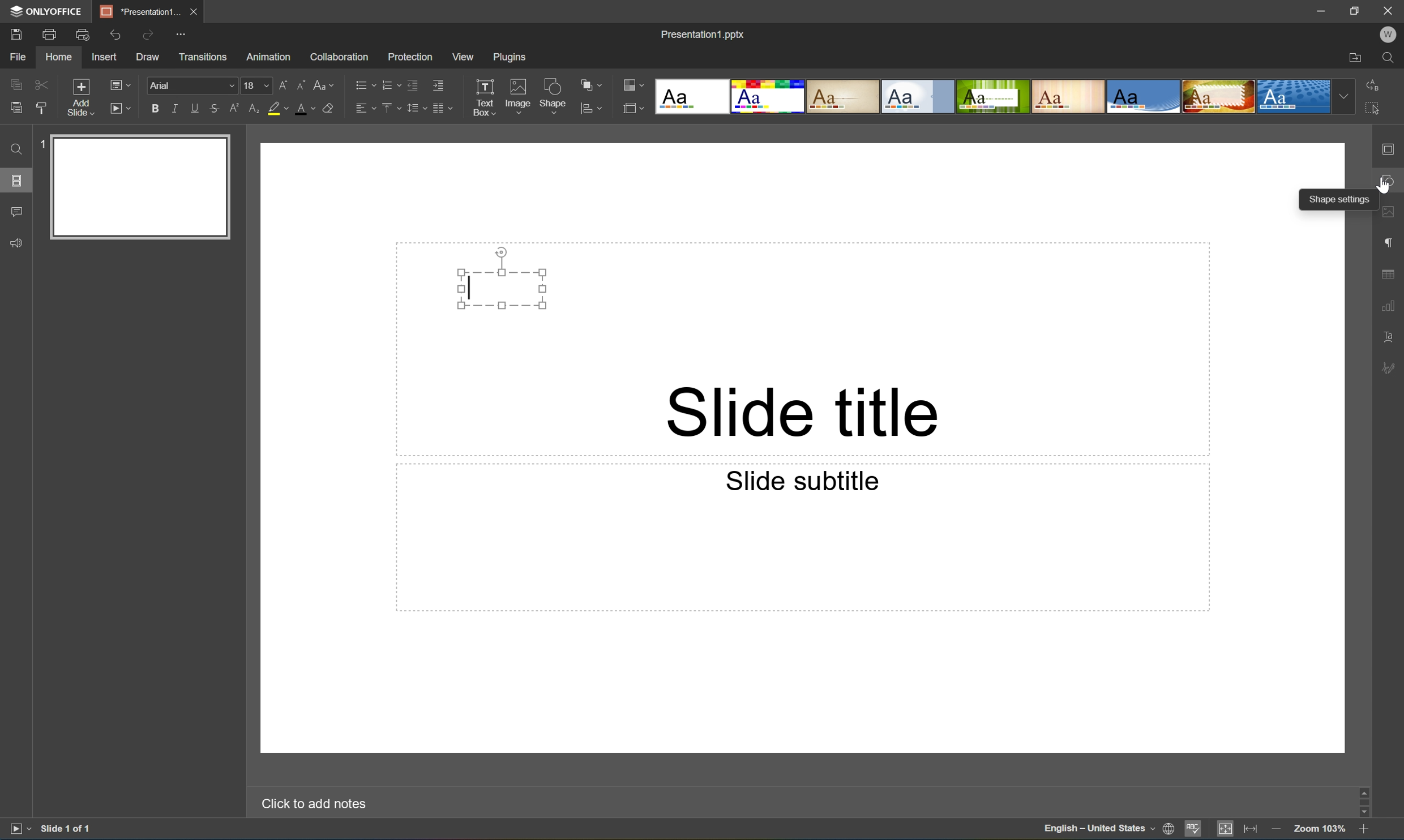  What do you see at coordinates (1389, 336) in the screenshot?
I see `Text Art settings` at bounding box center [1389, 336].